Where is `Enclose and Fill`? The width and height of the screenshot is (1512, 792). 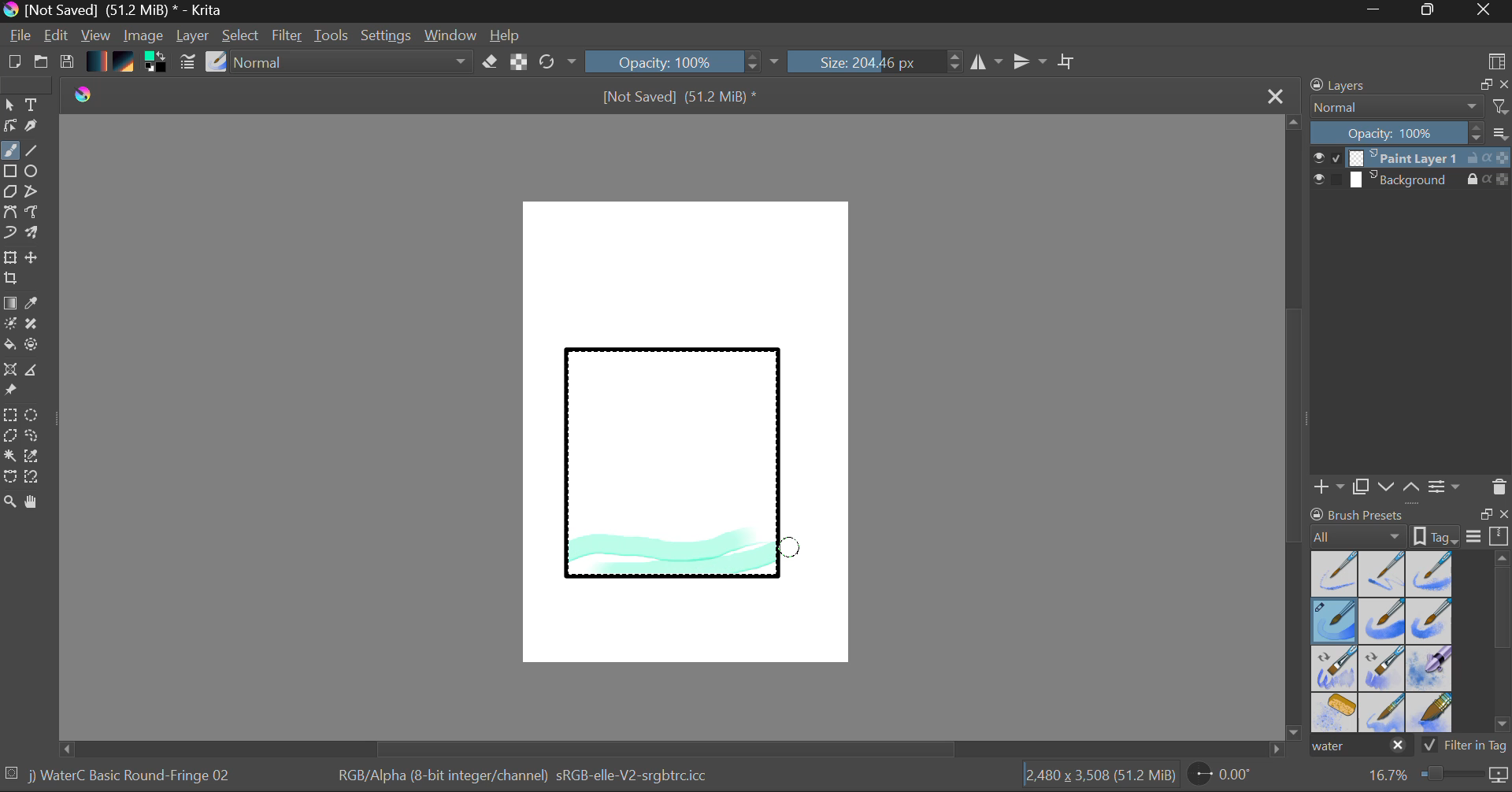
Enclose and Fill is located at coordinates (35, 346).